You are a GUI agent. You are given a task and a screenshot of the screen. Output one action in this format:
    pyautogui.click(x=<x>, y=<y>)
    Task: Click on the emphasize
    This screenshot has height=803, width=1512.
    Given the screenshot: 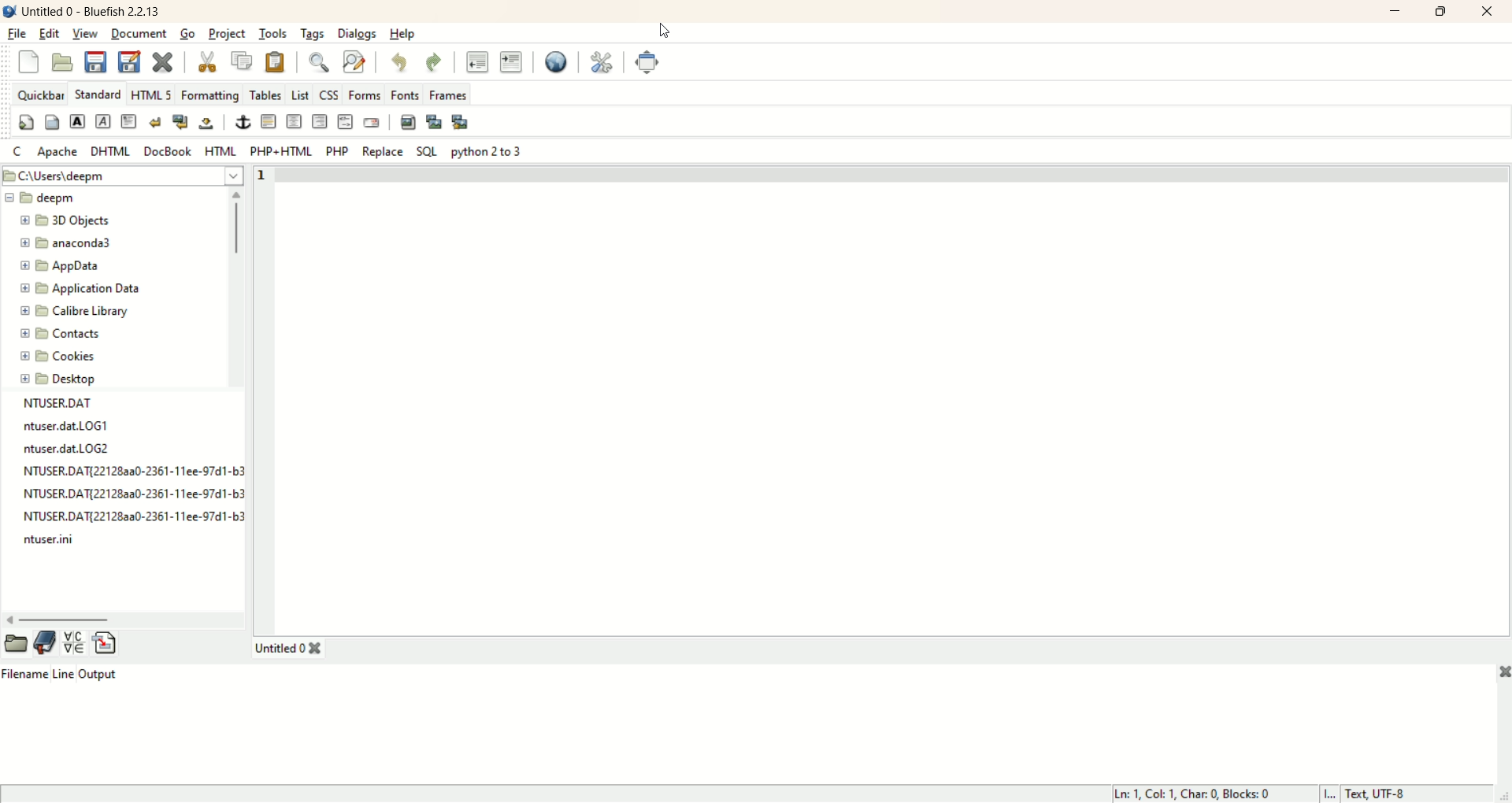 What is the action you would take?
    pyautogui.click(x=103, y=121)
    